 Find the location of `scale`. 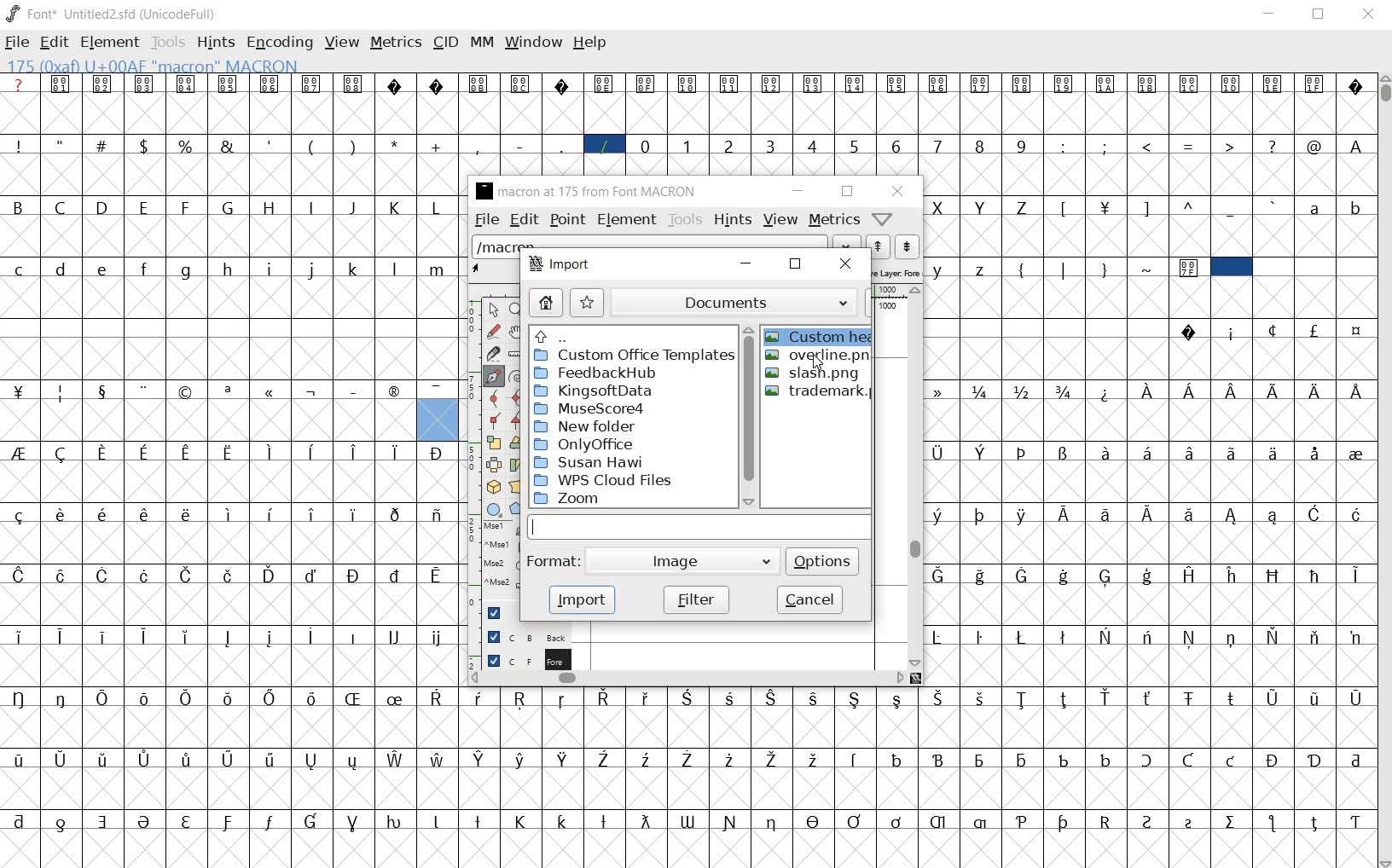

scale is located at coordinates (494, 443).